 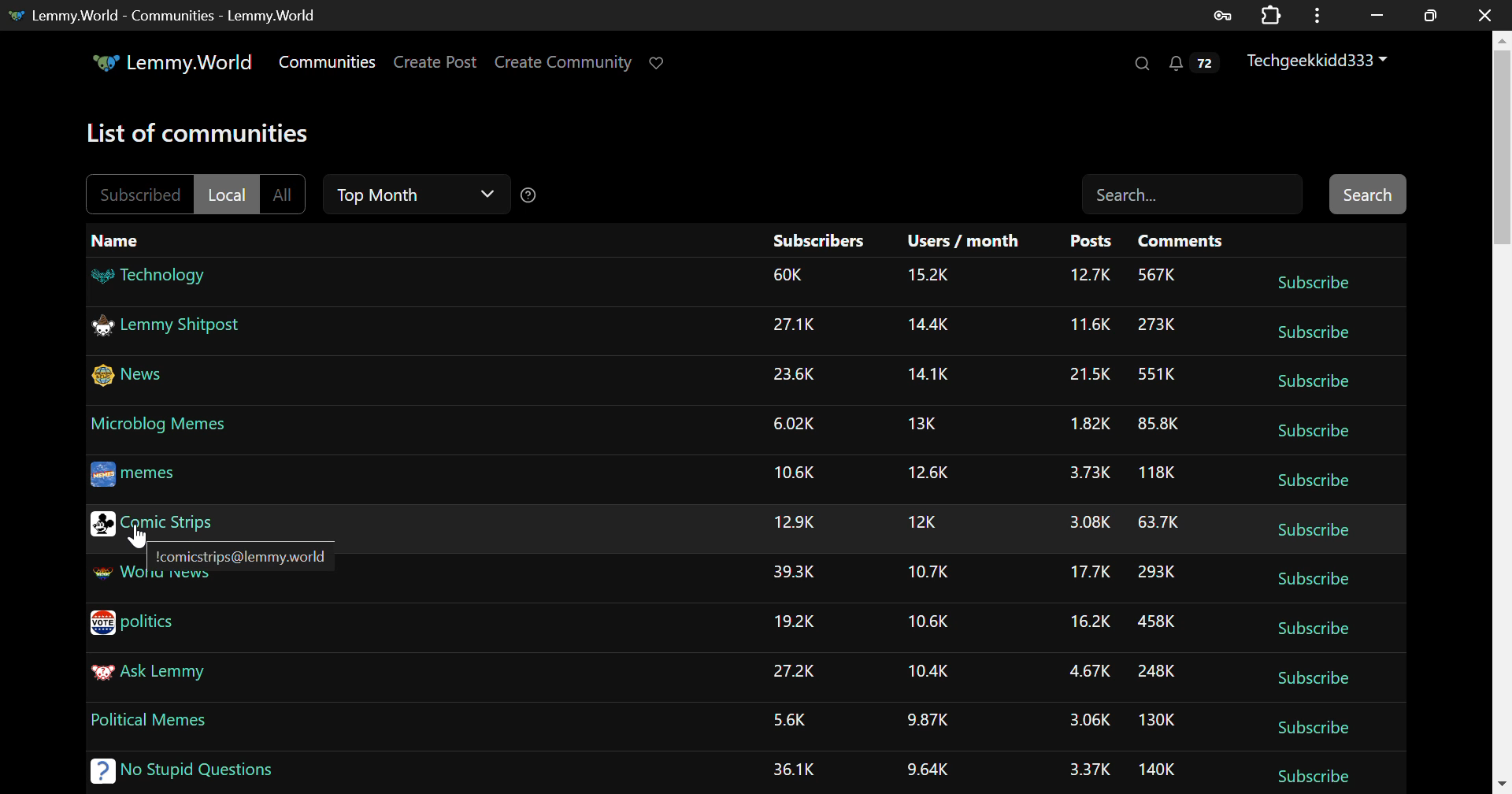 What do you see at coordinates (1086, 570) in the screenshot?
I see `Amount` at bounding box center [1086, 570].